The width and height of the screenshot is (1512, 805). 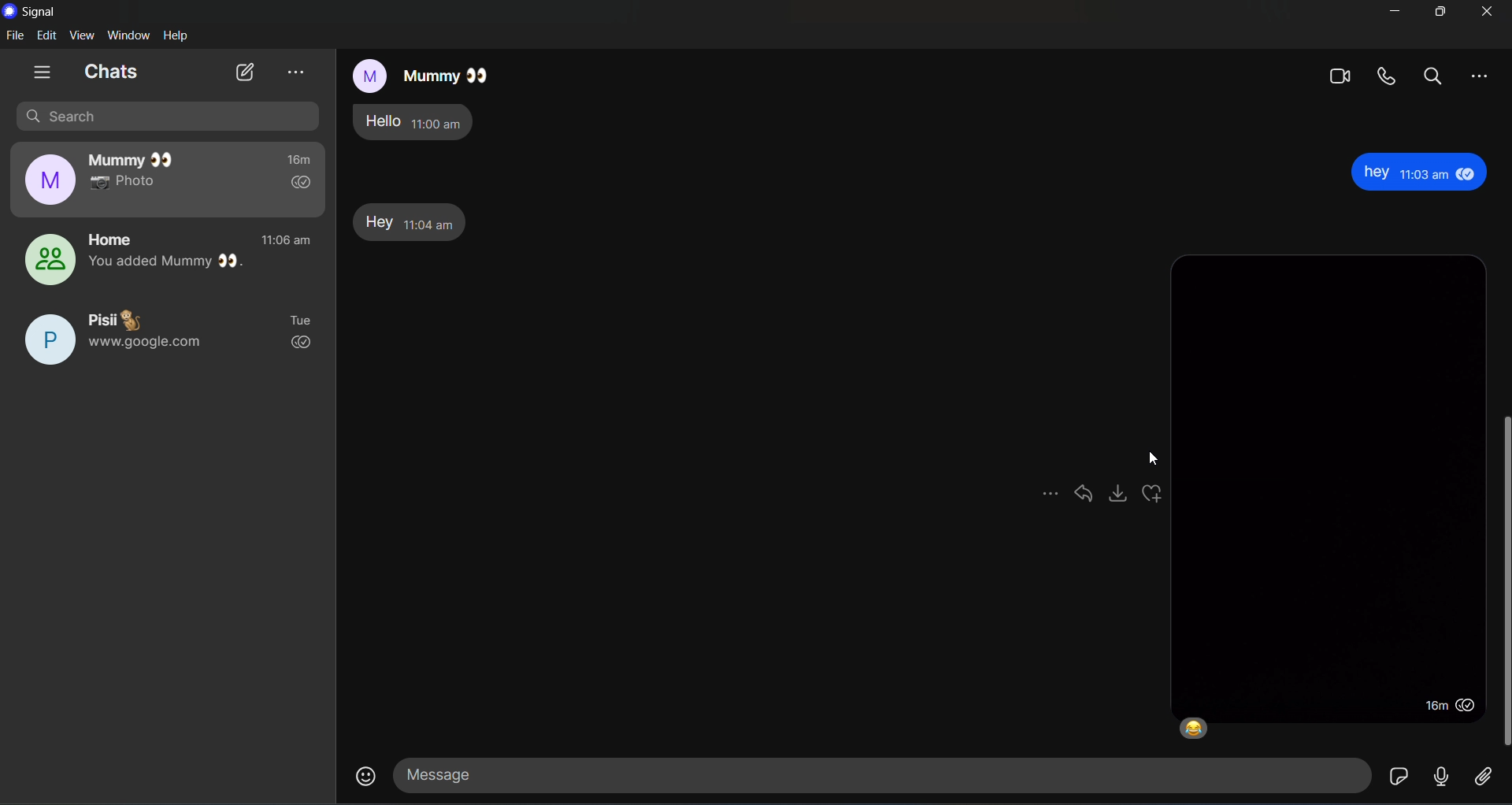 I want to click on hello message, so click(x=422, y=122).